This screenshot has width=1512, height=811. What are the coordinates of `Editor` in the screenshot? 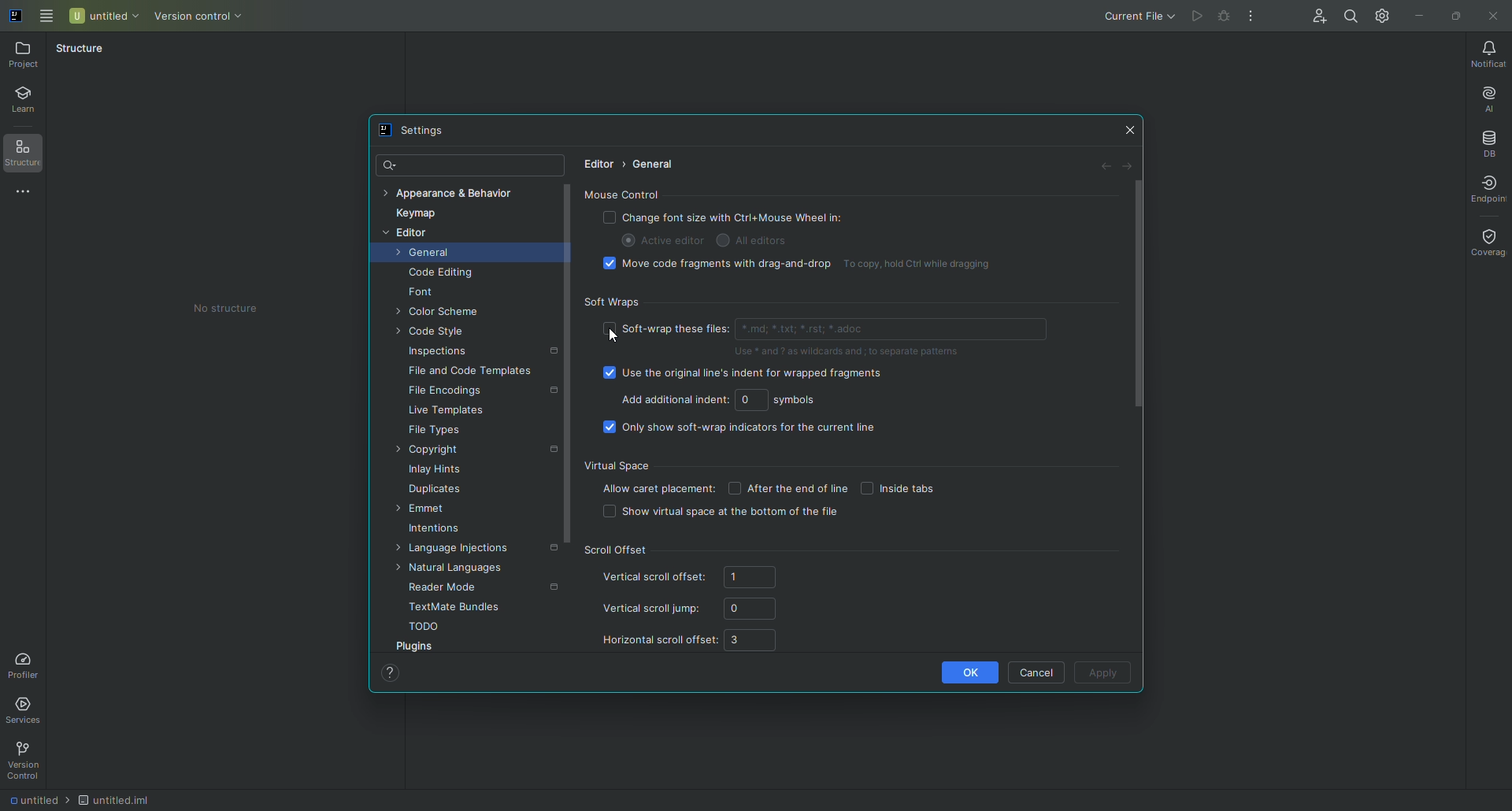 It's located at (596, 165).